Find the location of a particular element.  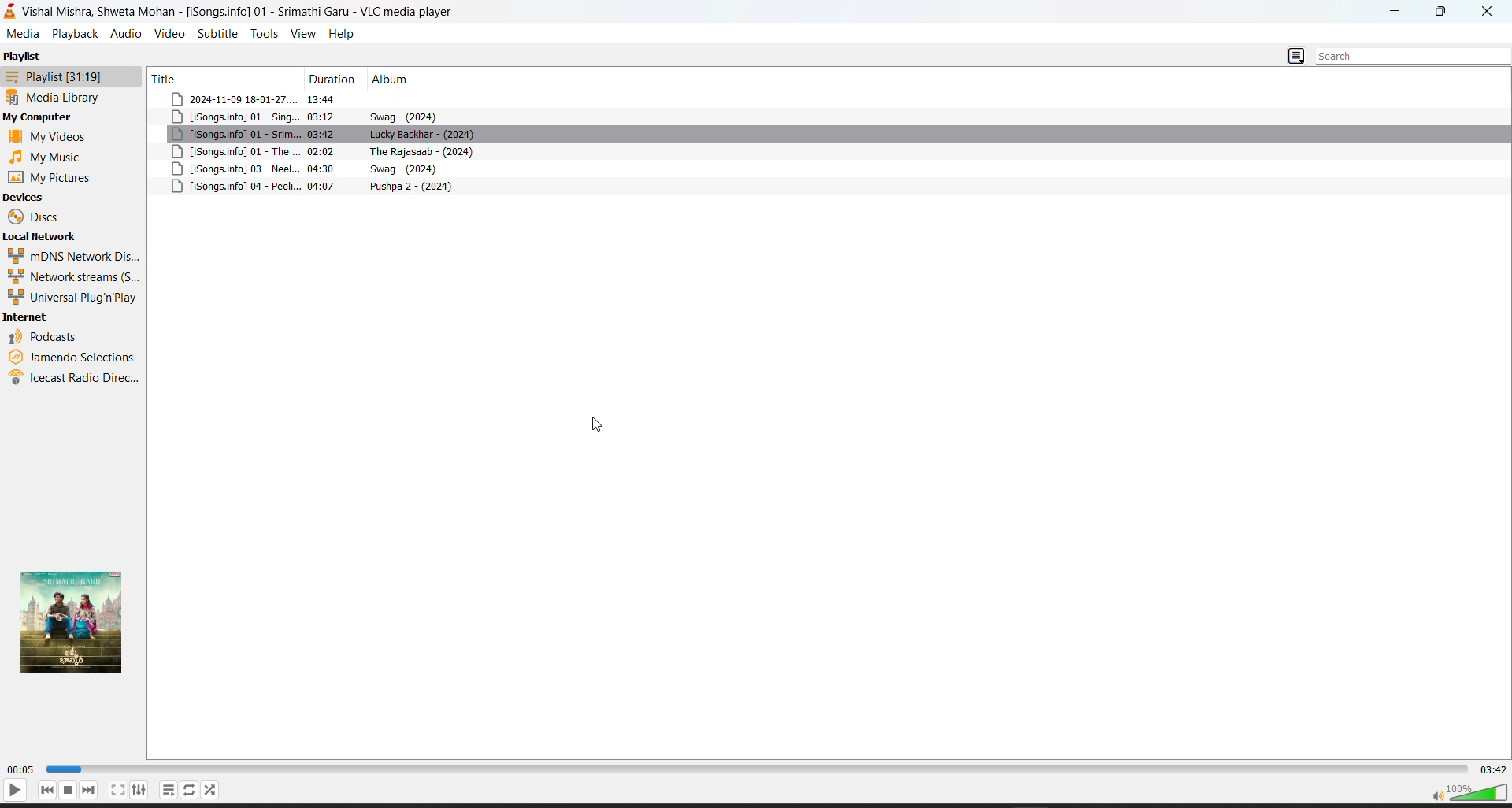

vlc logo is located at coordinates (12, 10).